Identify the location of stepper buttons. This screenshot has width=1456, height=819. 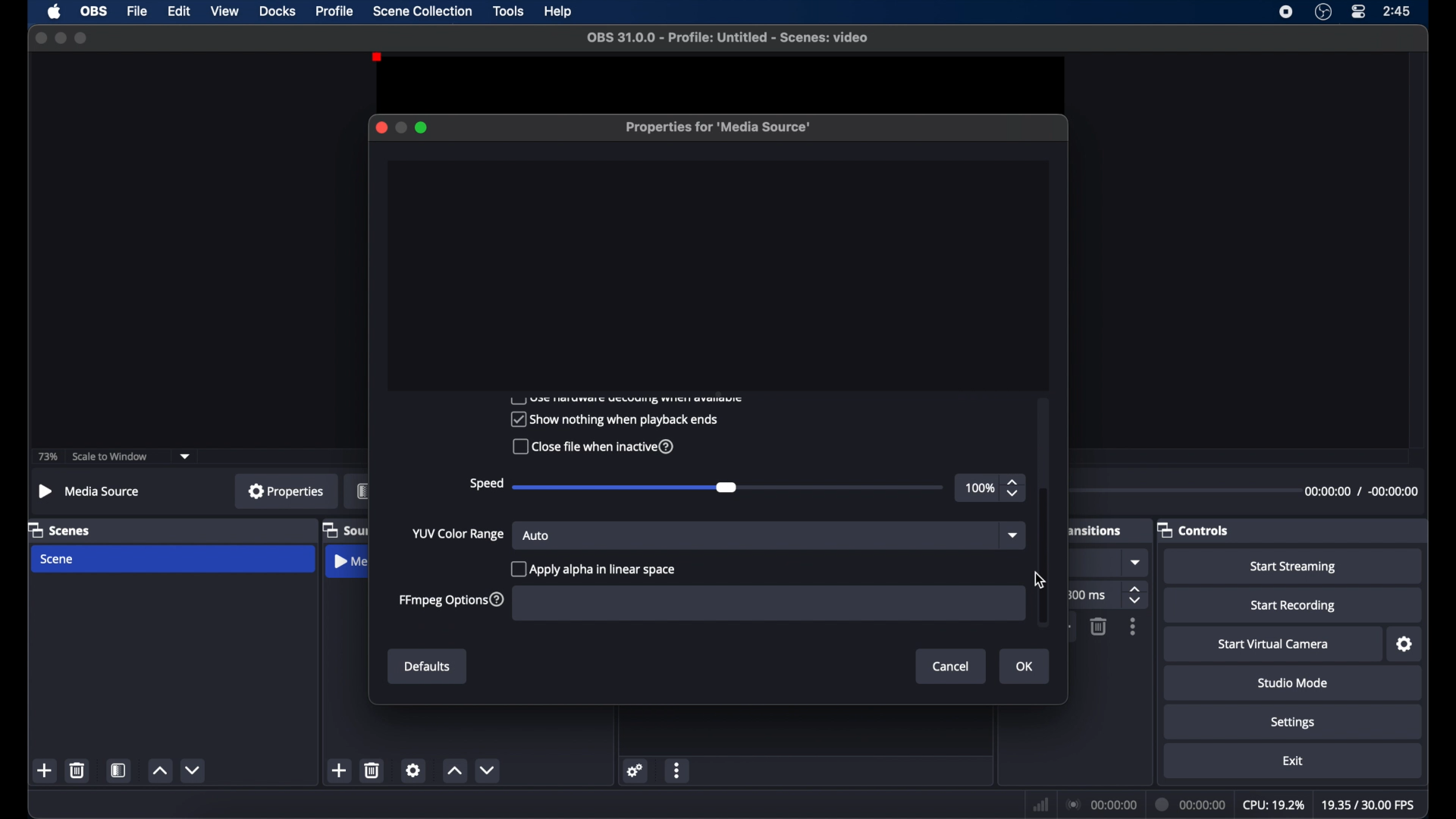
(1137, 596).